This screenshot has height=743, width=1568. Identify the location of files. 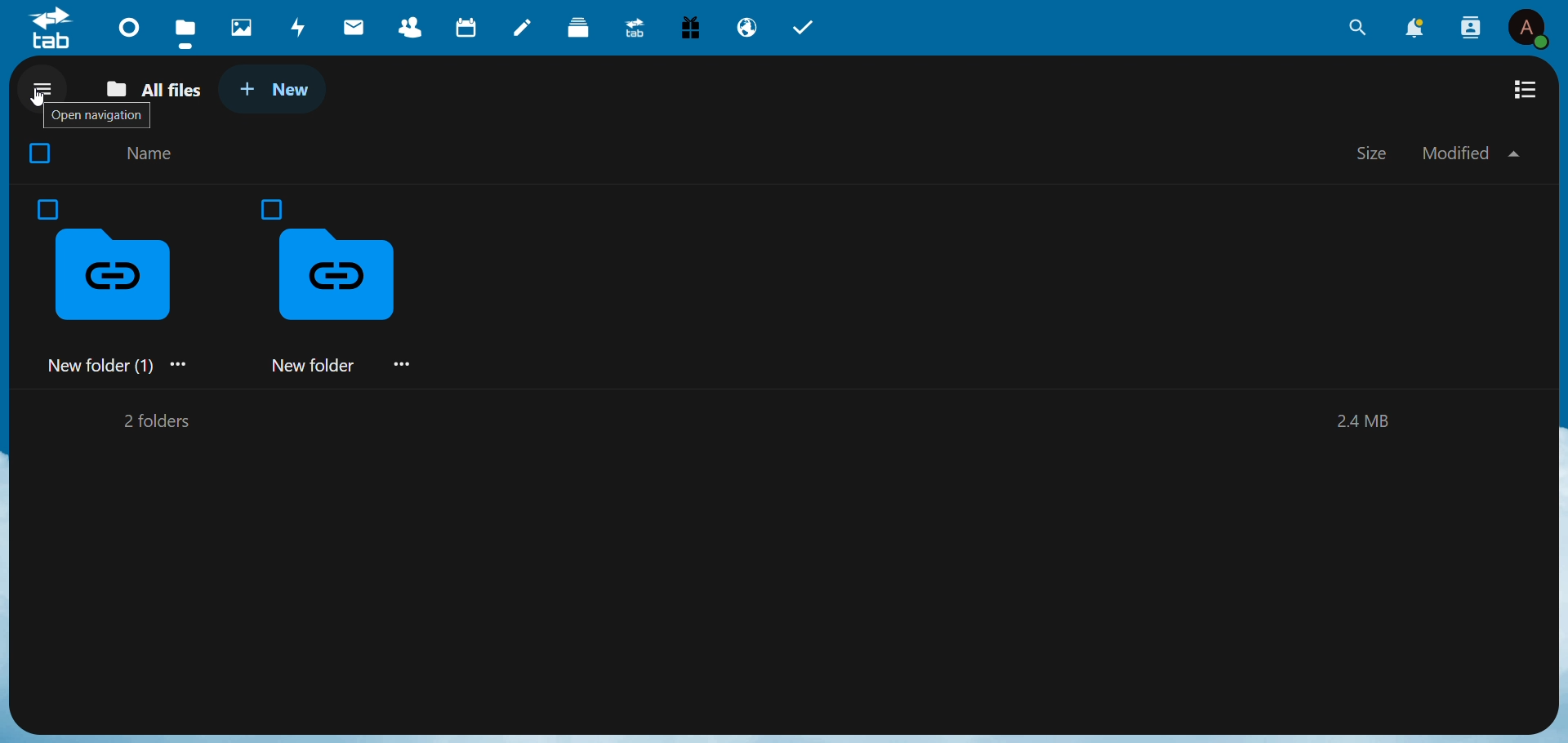
(183, 29).